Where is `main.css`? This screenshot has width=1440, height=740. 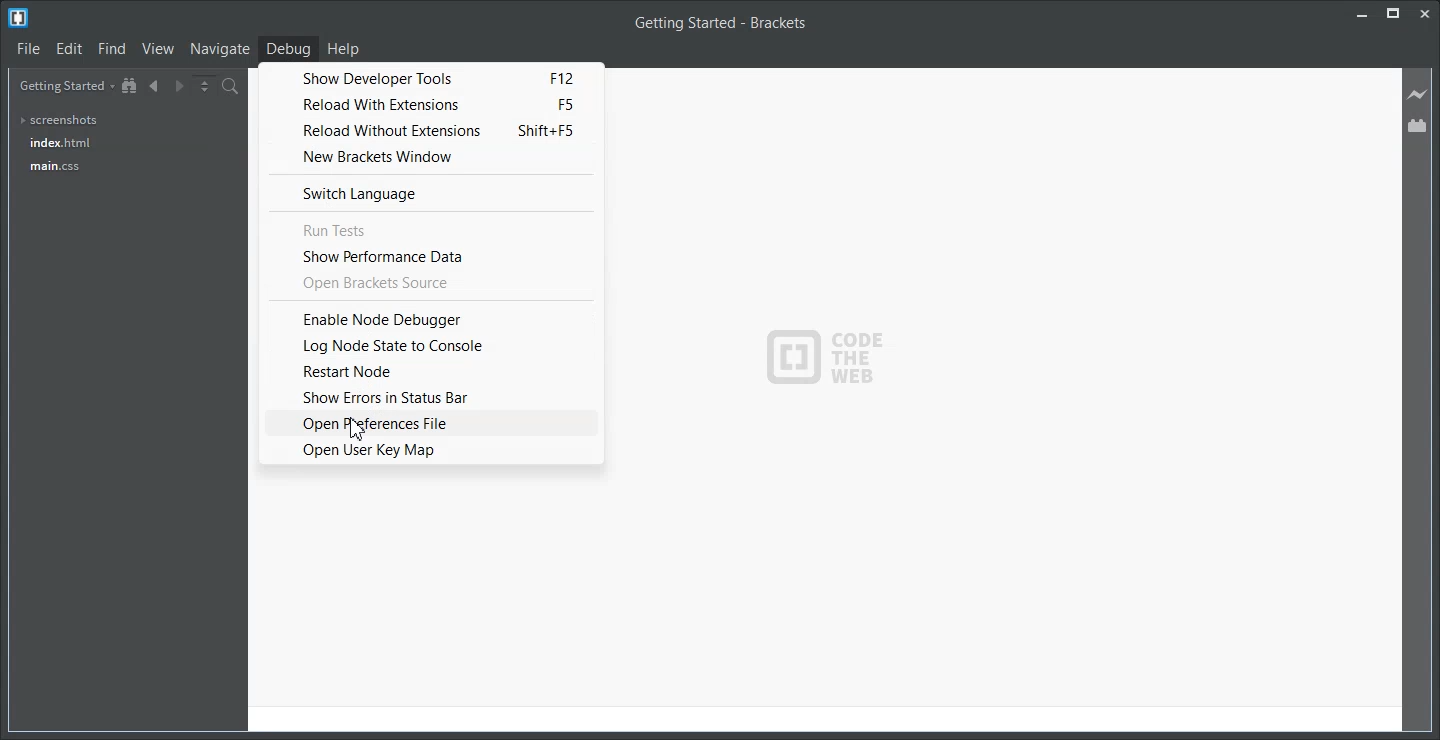
main.css is located at coordinates (53, 165).